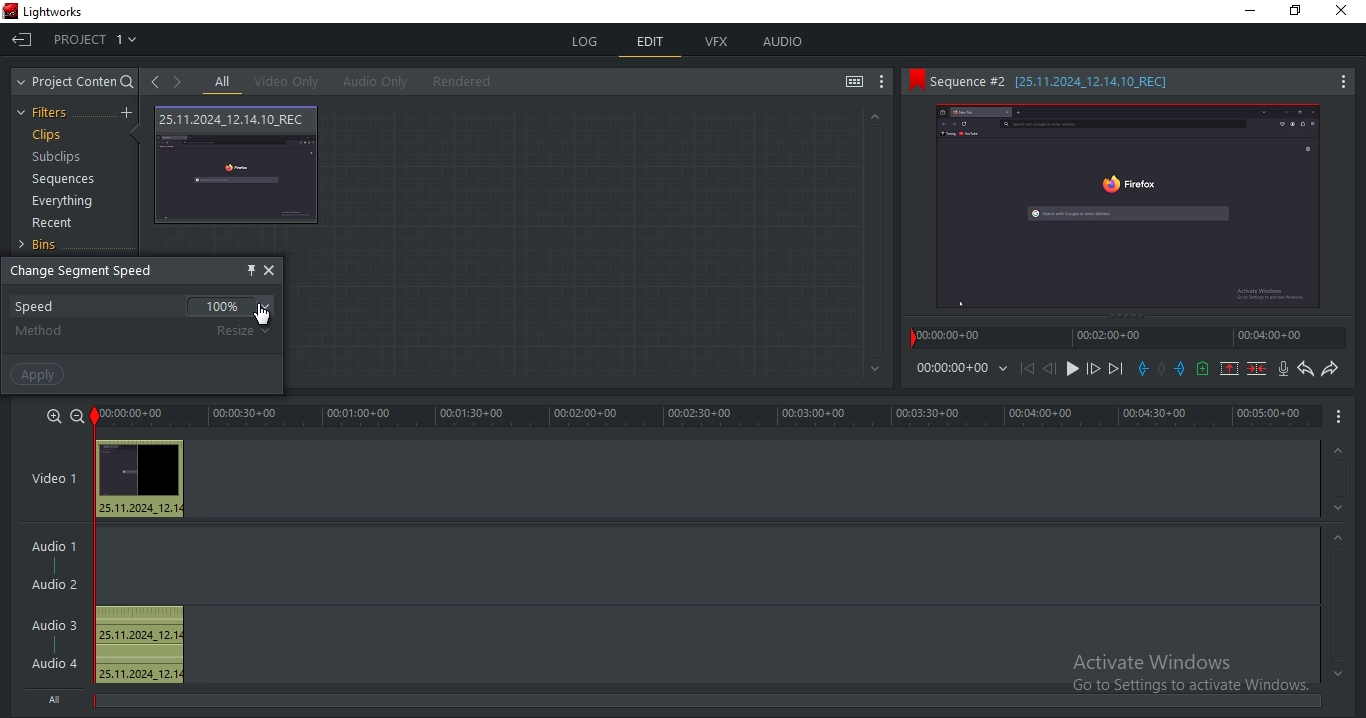  I want to click on record audio, so click(1282, 370).